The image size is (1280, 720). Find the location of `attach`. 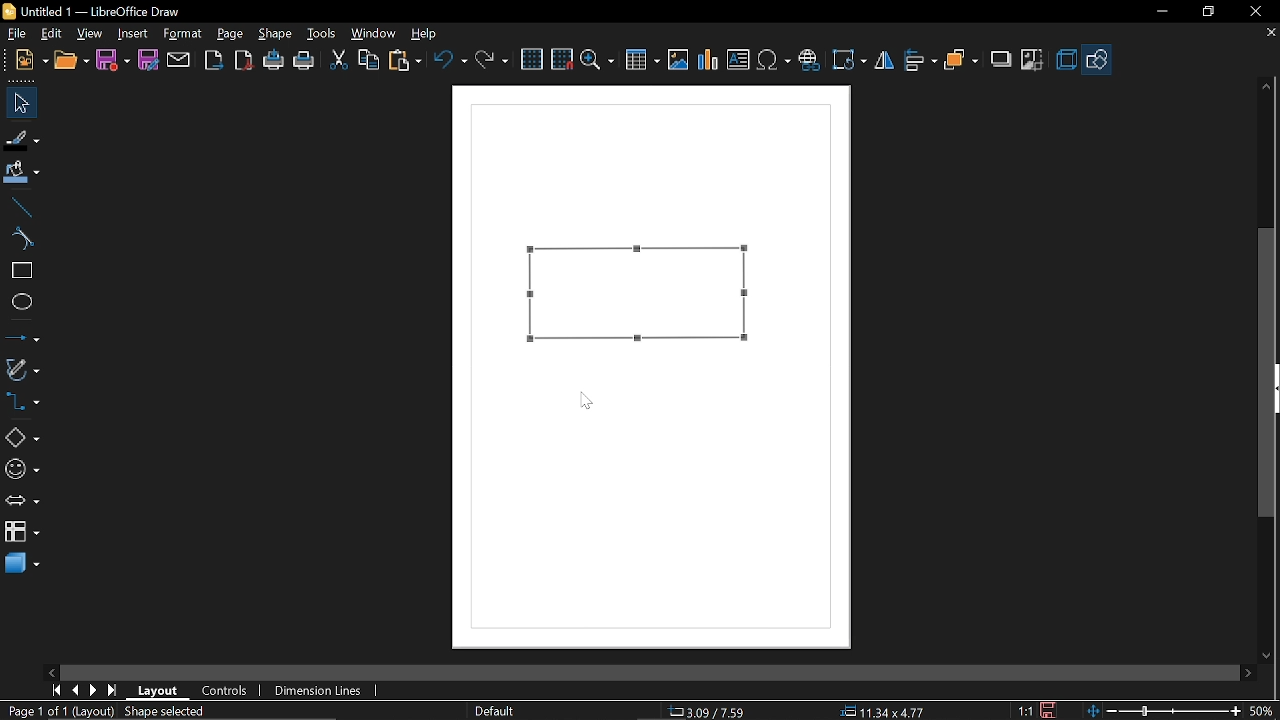

attach is located at coordinates (177, 61).